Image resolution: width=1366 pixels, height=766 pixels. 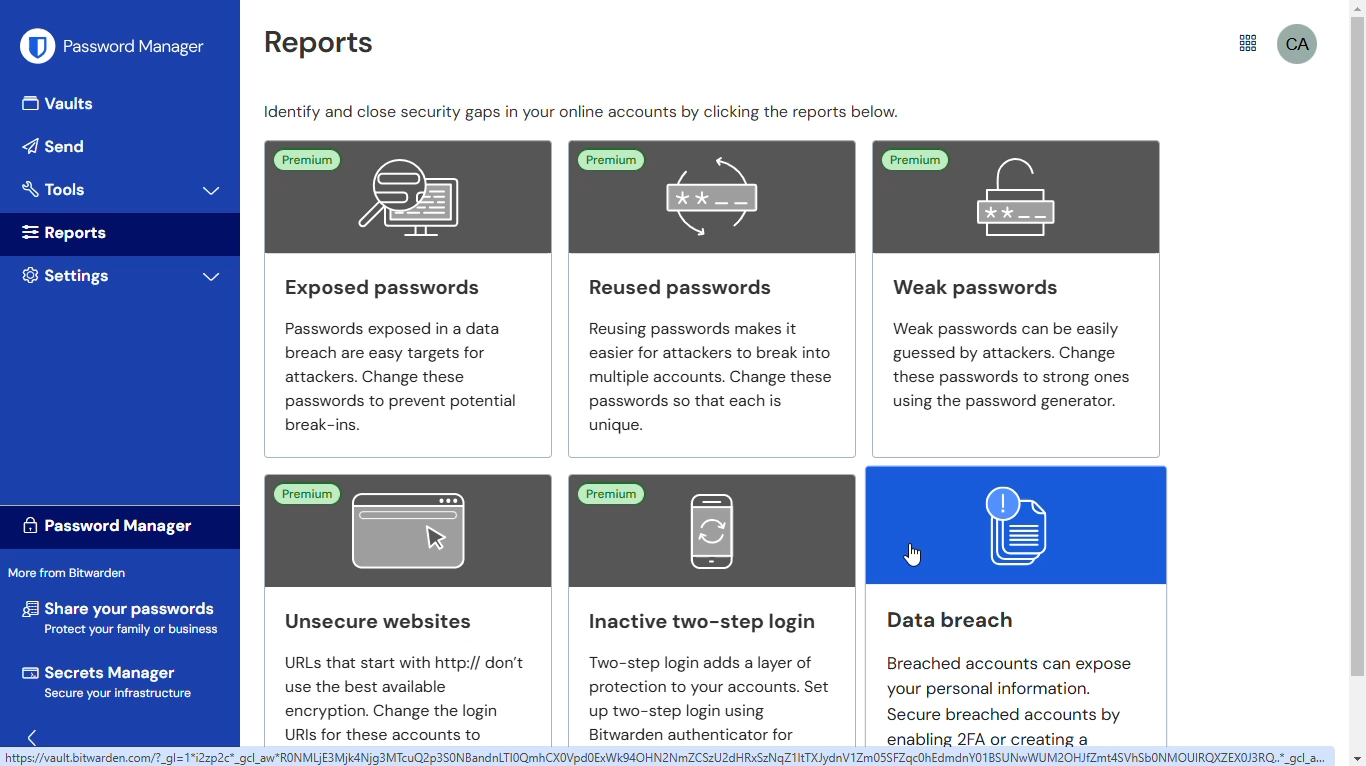 What do you see at coordinates (66, 275) in the screenshot?
I see `setting` at bounding box center [66, 275].